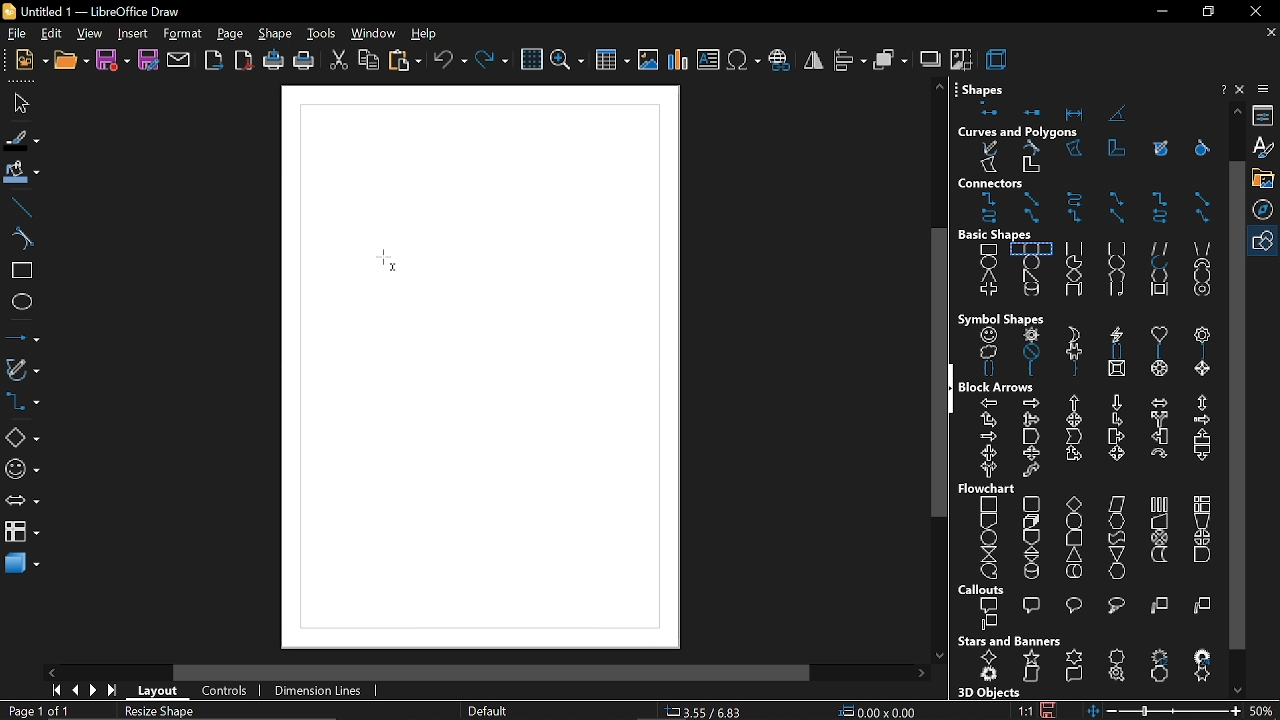 The image size is (1280, 720). Describe the element at coordinates (22, 240) in the screenshot. I see `curve` at that location.